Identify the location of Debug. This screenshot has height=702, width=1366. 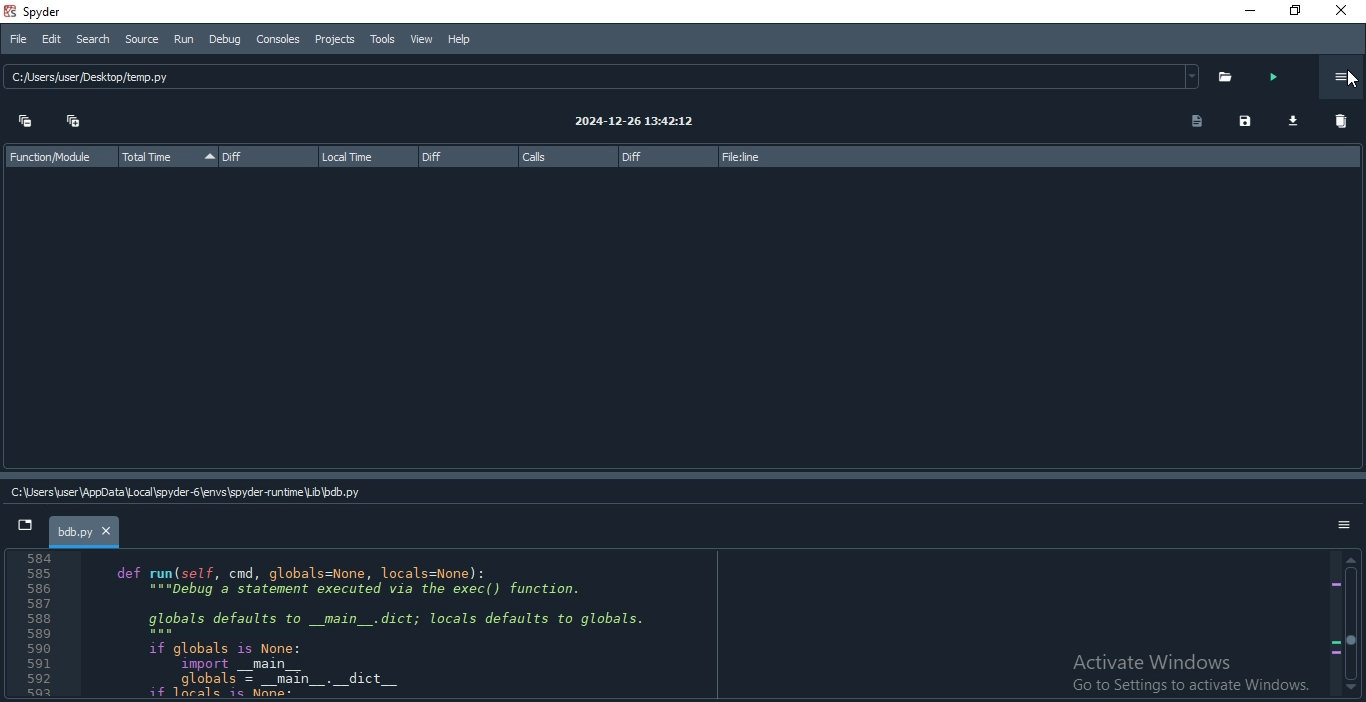
(224, 38).